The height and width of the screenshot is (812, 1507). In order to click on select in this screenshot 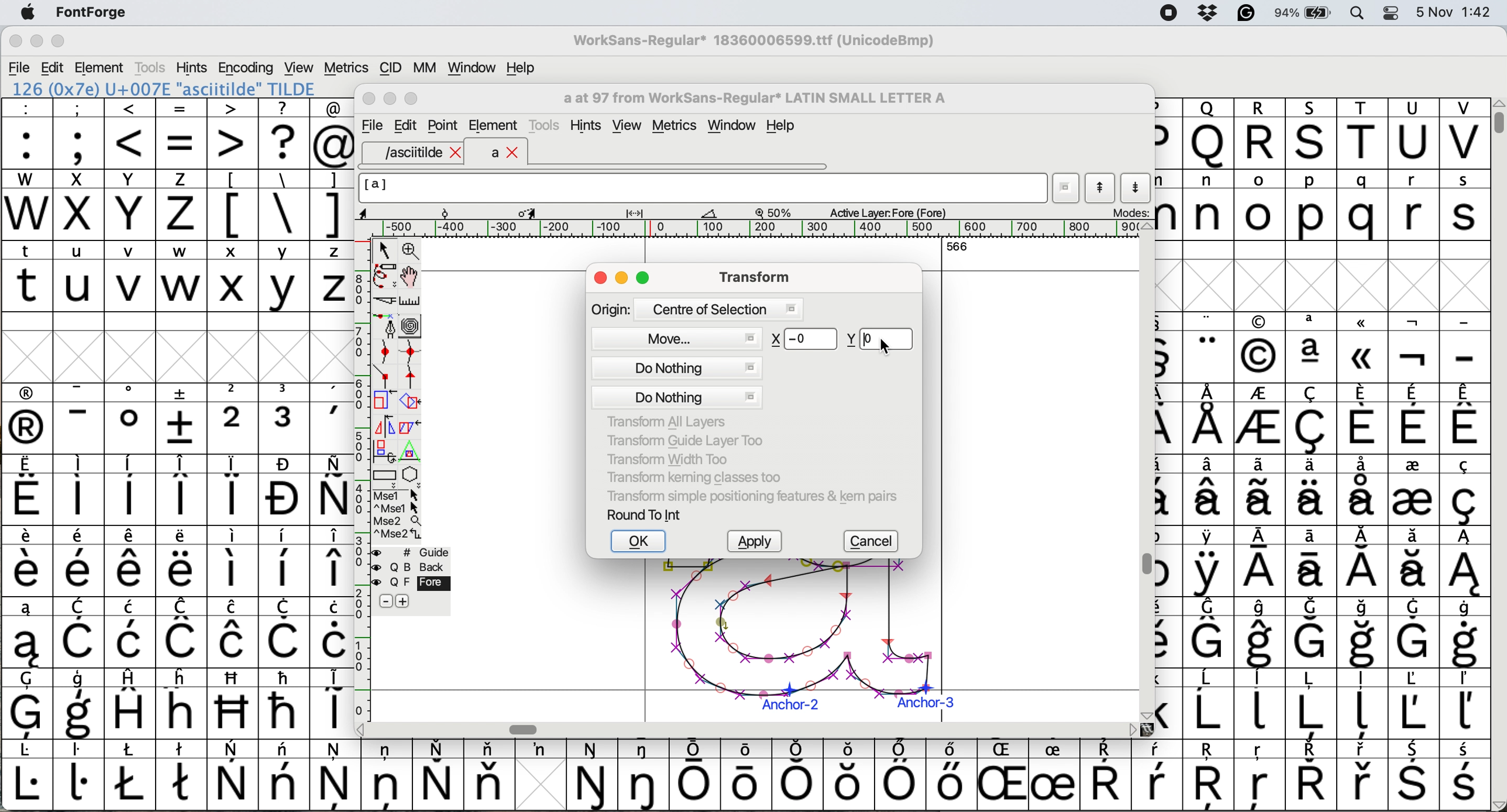, I will do `click(386, 248)`.